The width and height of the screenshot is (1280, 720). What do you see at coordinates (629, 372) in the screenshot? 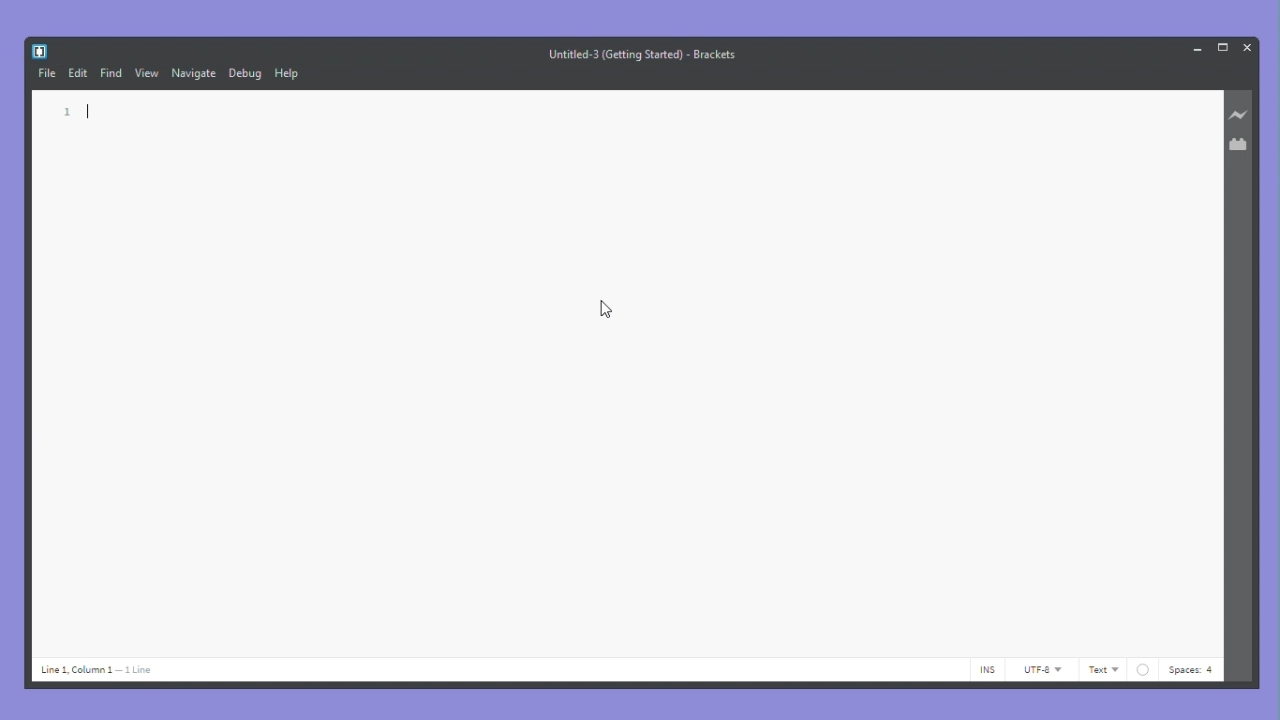
I see `New text file in the project` at bounding box center [629, 372].